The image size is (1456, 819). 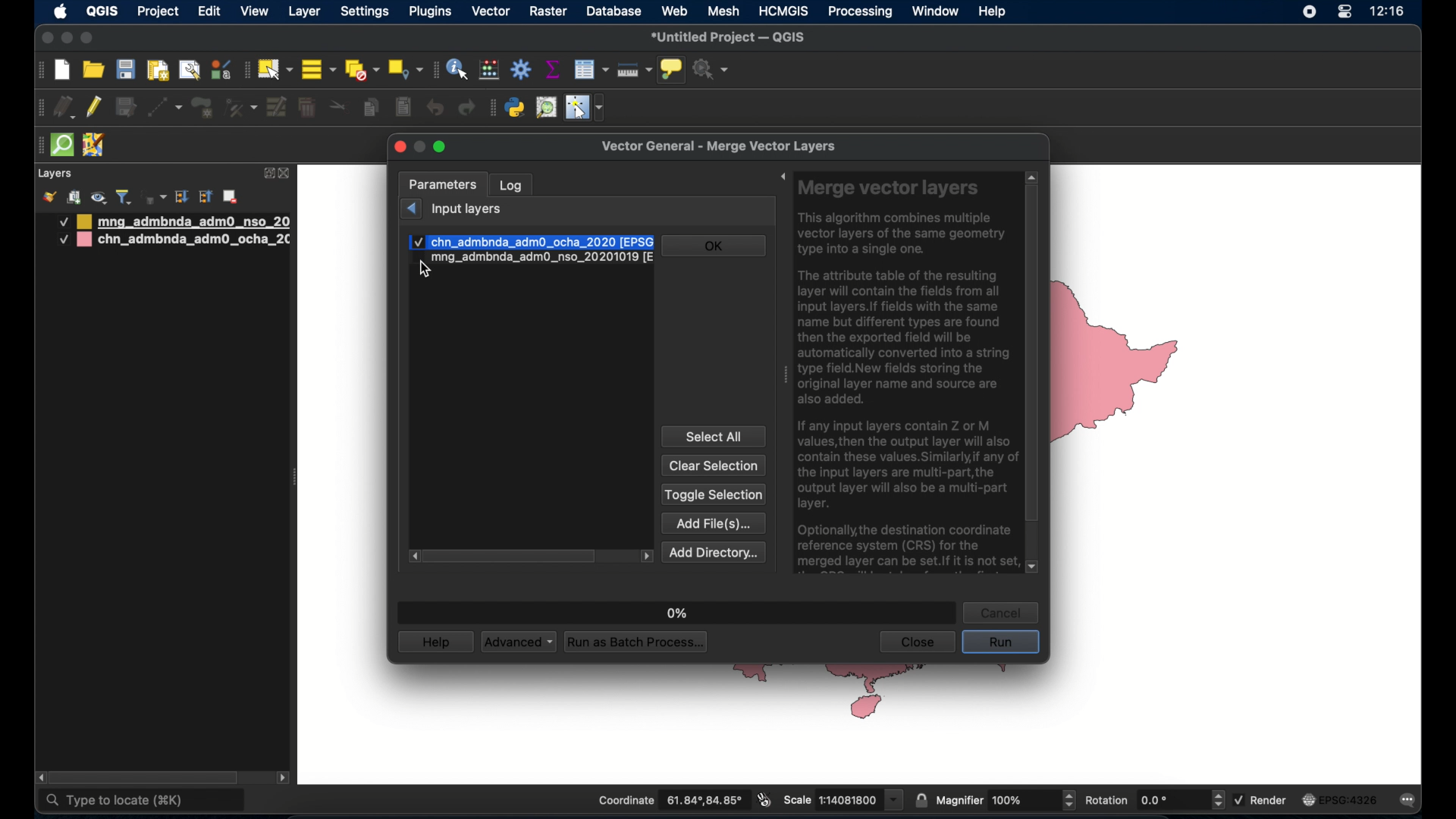 What do you see at coordinates (1388, 13) in the screenshot?
I see `time` at bounding box center [1388, 13].